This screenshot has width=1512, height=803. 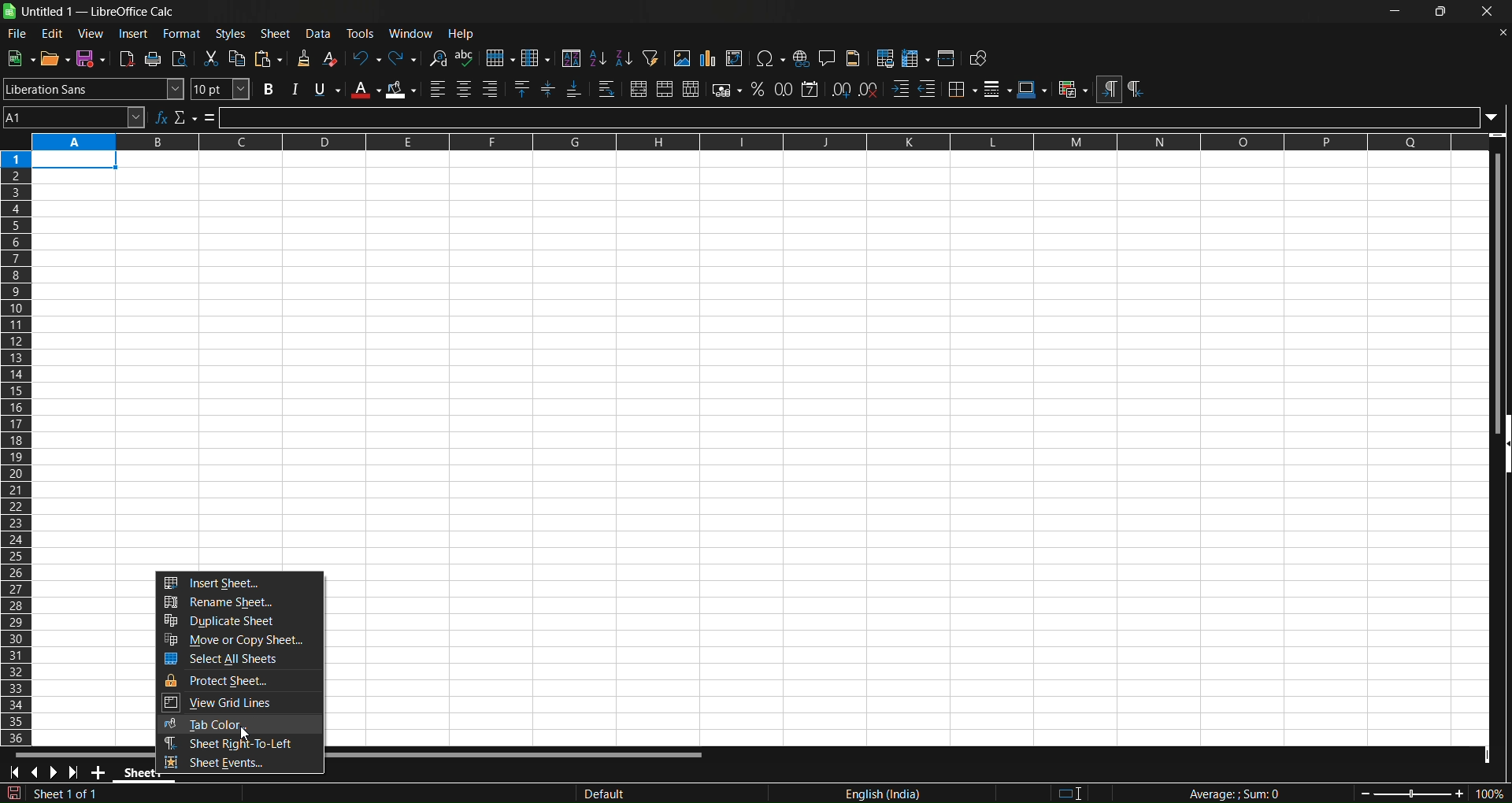 I want to click on file, so click(x=15, y=35).